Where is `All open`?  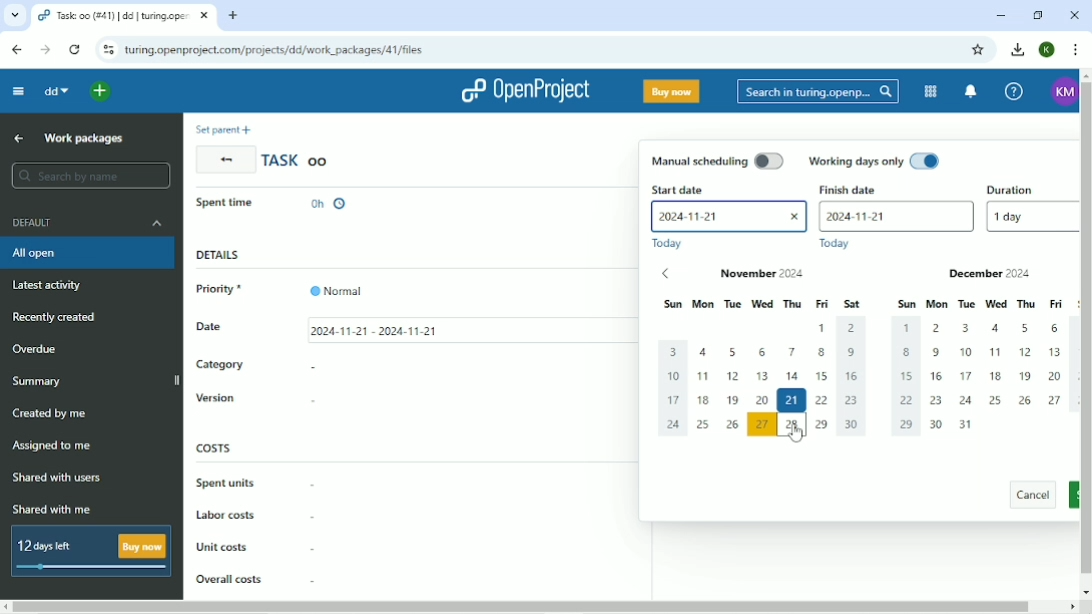
All open is located at coordinates (87, 253).